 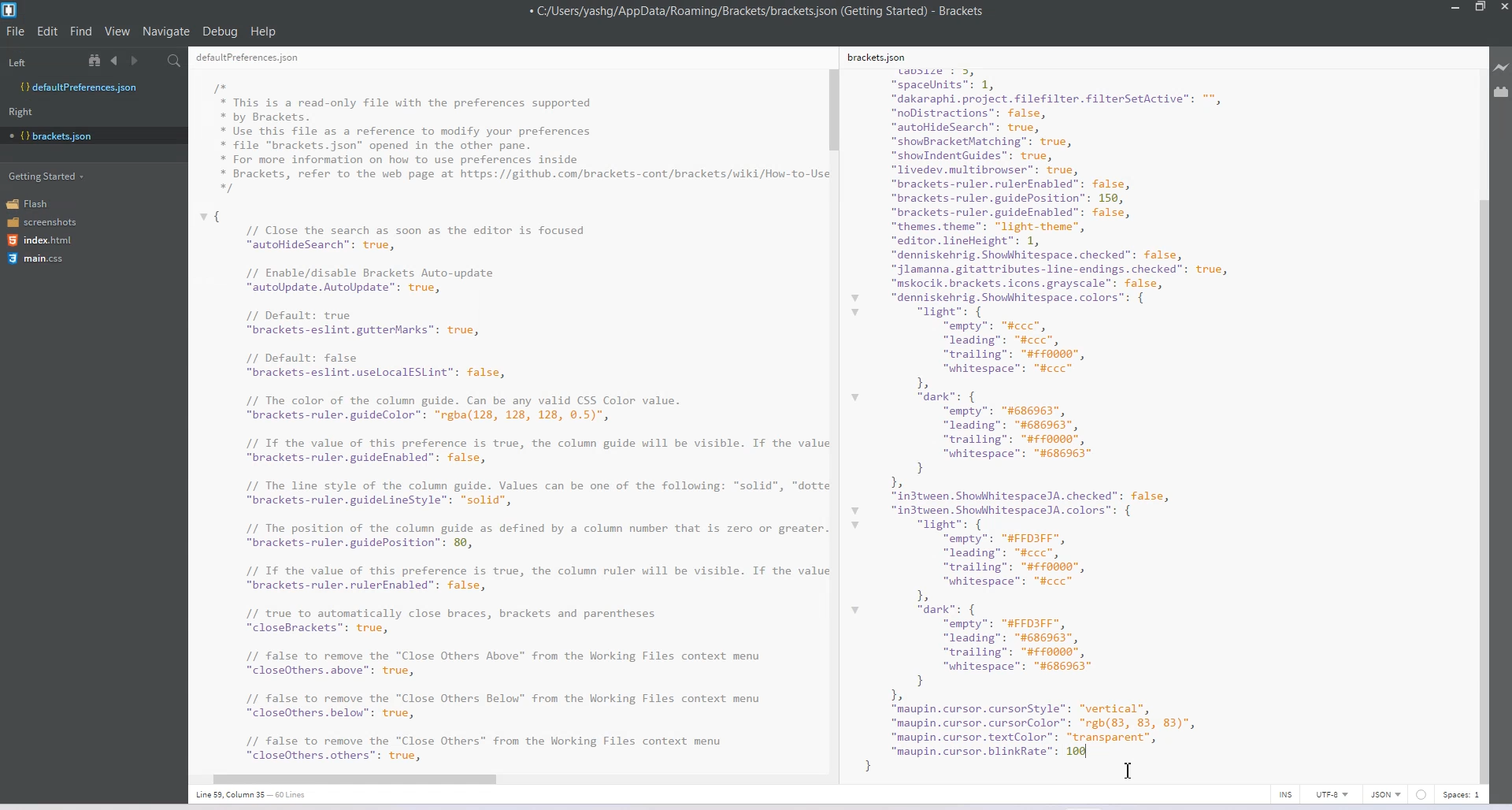 I want to click on kets. son
size : 3,
“spacelnits": 1,
“dakaraphi.project. filefilter. filterSetActive”: "*,
“noDistractions”: false,
“autohideSearch”: true,
“showBracketMatching”: true,
“showIndentGuides”: true,
“livedev.multibrowser”: true,
“brackets-ruler.rulerEnabled": false,
“brackets-ruler.guidePosition”: 150,
“brackets-ruler.guideEnabled": false,
“themes theme": "light-theme",
“editor. lineHeight": 1,
“denniskehrig. Showhhitespace. checked": false,
“jlamanna.gitattributes-line-endings. checked": true,
“mskocik.brackets.icons.grayscale": false,
“denniskehrig. Showhitespace. colors”: {
“light”: {
“empty”: "#ccc”,
“leading”: "#ccc”,
“trailing”: "#0000",
“whitespace”: "#ccc”
b
“dark”: {
“empty”: "#686963",
["leading”: "#686963",
“trailing”: "#0000",
“whitespace”: "#686963"
}
Ia
“in3tween. ShowhhitespaceJA. checked": false,
“in3tween. ShowhhitespaceJA. colors”: {
“light”: {
“empty”: "#FFDIFF",
“leading”: "#ccc”,
“trailing”: "#0000",
“whitespace”: "#ccc”
bh
“dark”: {
“empty”: "#FFDIFF",
“leading”: "#686963",
“trailing”: "#0000",
“whitespace”: "#686963"
}
b
“maupin. cursor. cursorStyle”: “vertical”,
“maupin. cursor. cursorColor™: "rgh(83, 83, 83)",
“maupin.cursor.textColor”: “transparent”,
“maupin. cursor. blinkRate": 1000 |
:, so click(x=1076, y=411).